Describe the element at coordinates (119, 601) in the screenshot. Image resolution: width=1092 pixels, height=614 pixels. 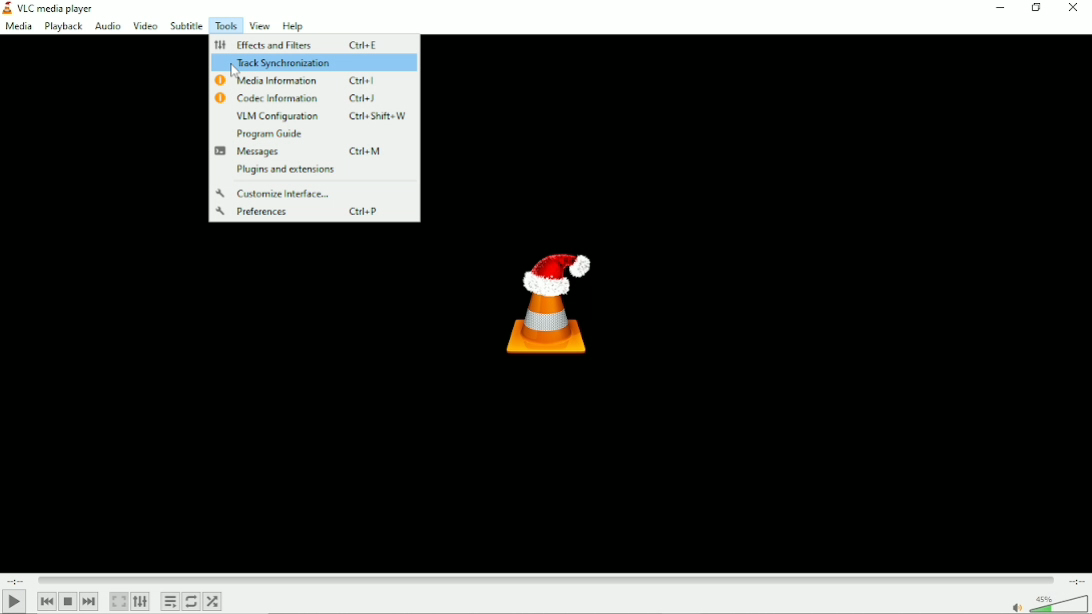
I see `Toggle video in fullscreen` at that location.